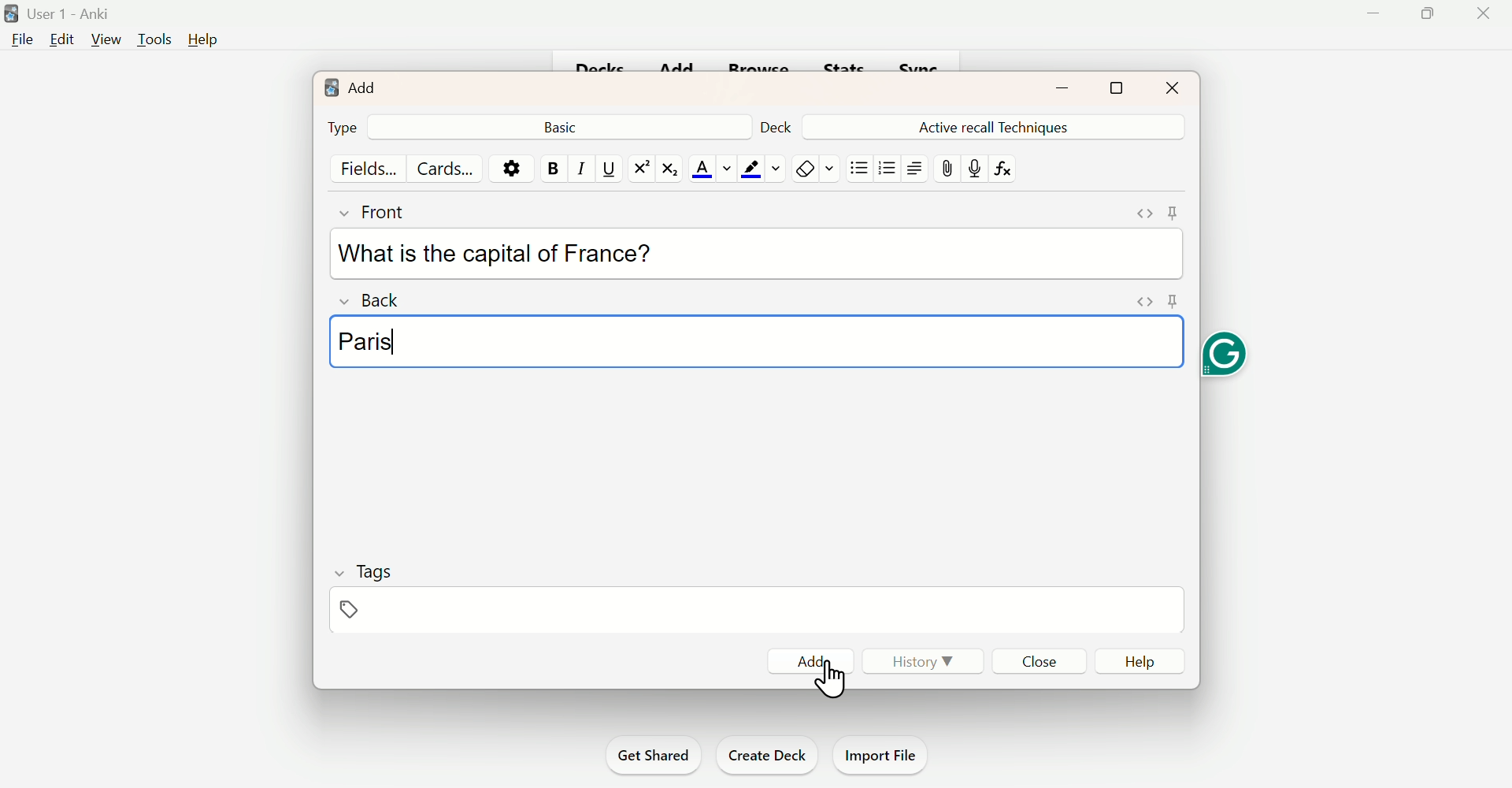 The height and width of the screenshot is (788, 1512). What do you see at coordinates (609, 170) in the screenshot?
I see `Underline` at bounding box center [609, 170].